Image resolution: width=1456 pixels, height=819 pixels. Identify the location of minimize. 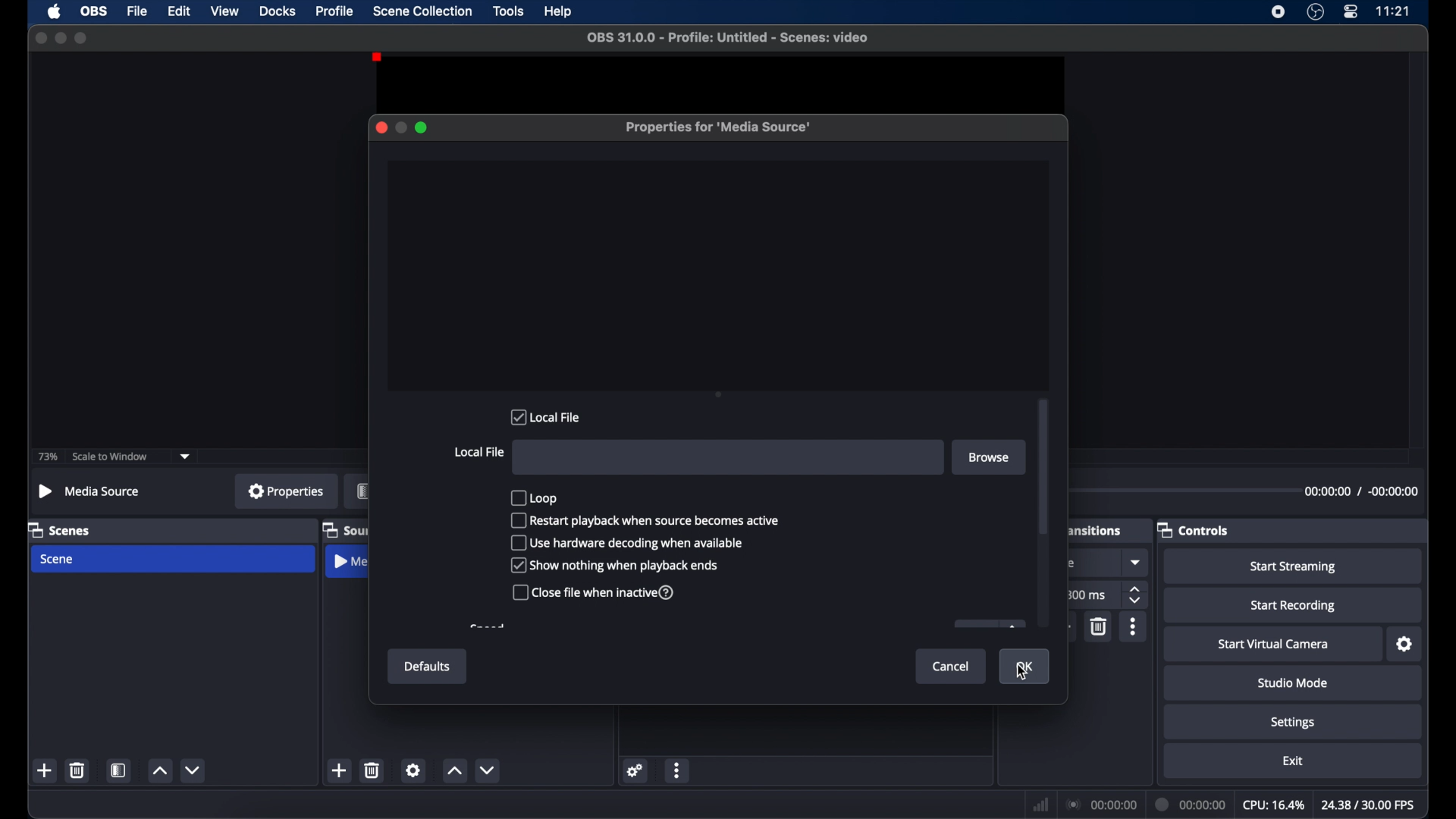
(400, 127).